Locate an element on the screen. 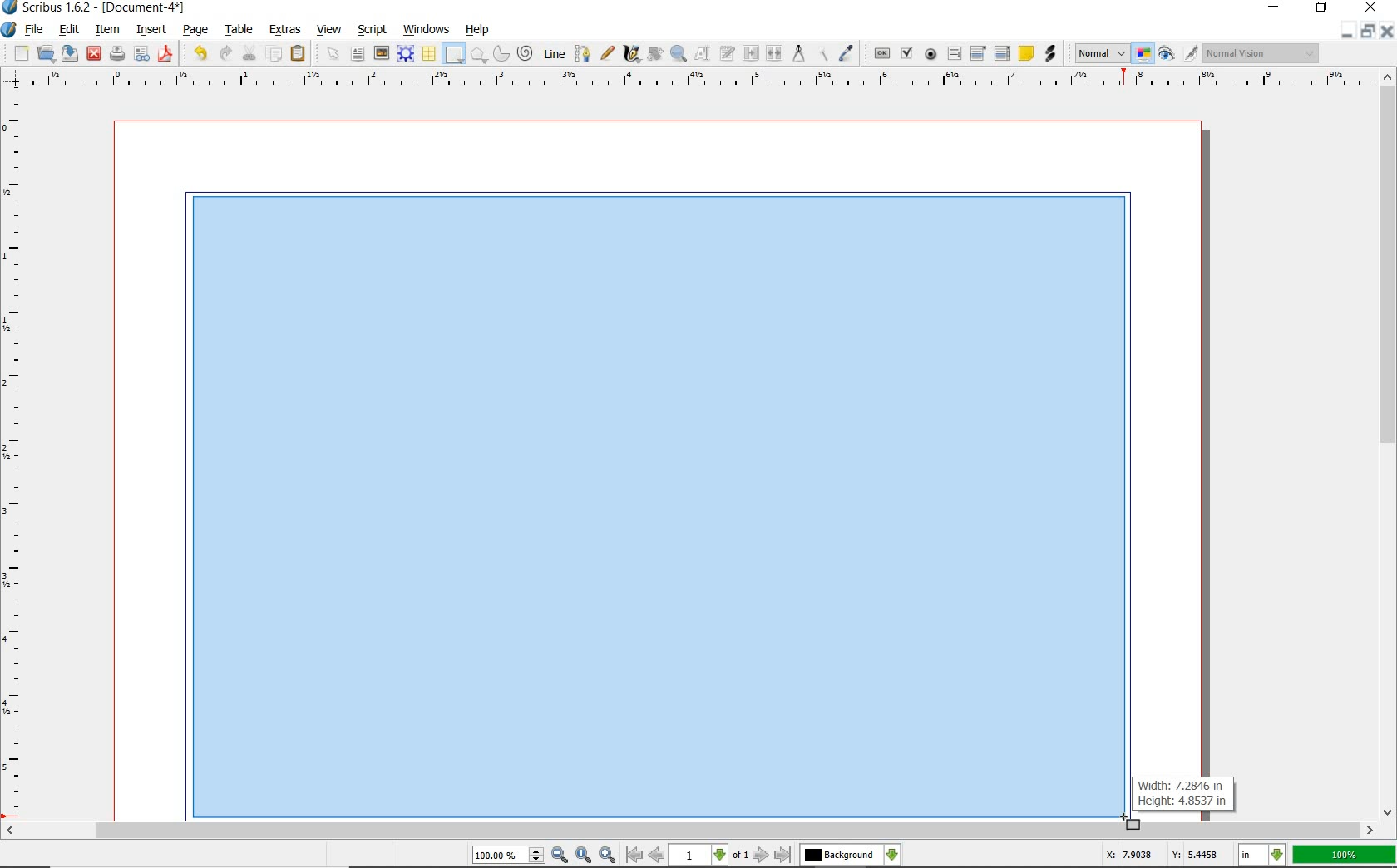 Image resolution: width=1397 pixels, height=868 pixels. restore is located at coordinates (1368, 32).